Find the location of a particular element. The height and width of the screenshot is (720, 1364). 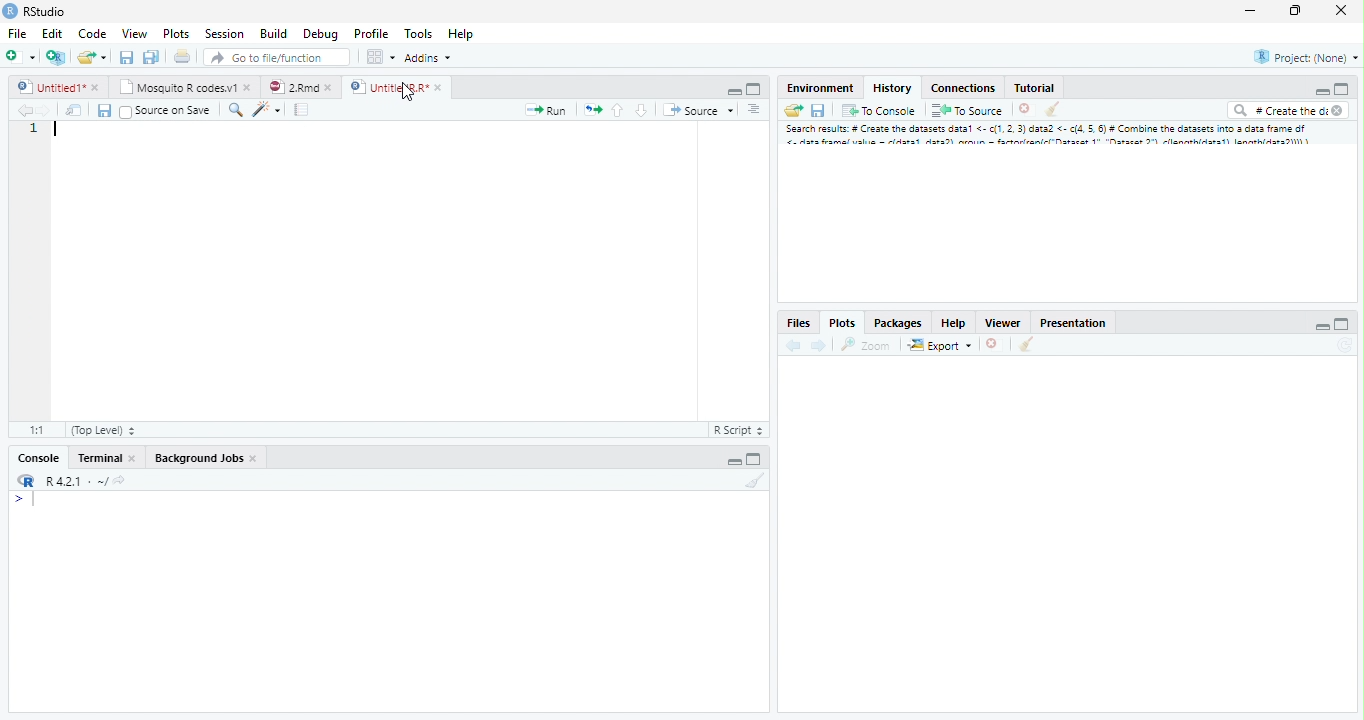

Export is located at coordinates (940, 345).